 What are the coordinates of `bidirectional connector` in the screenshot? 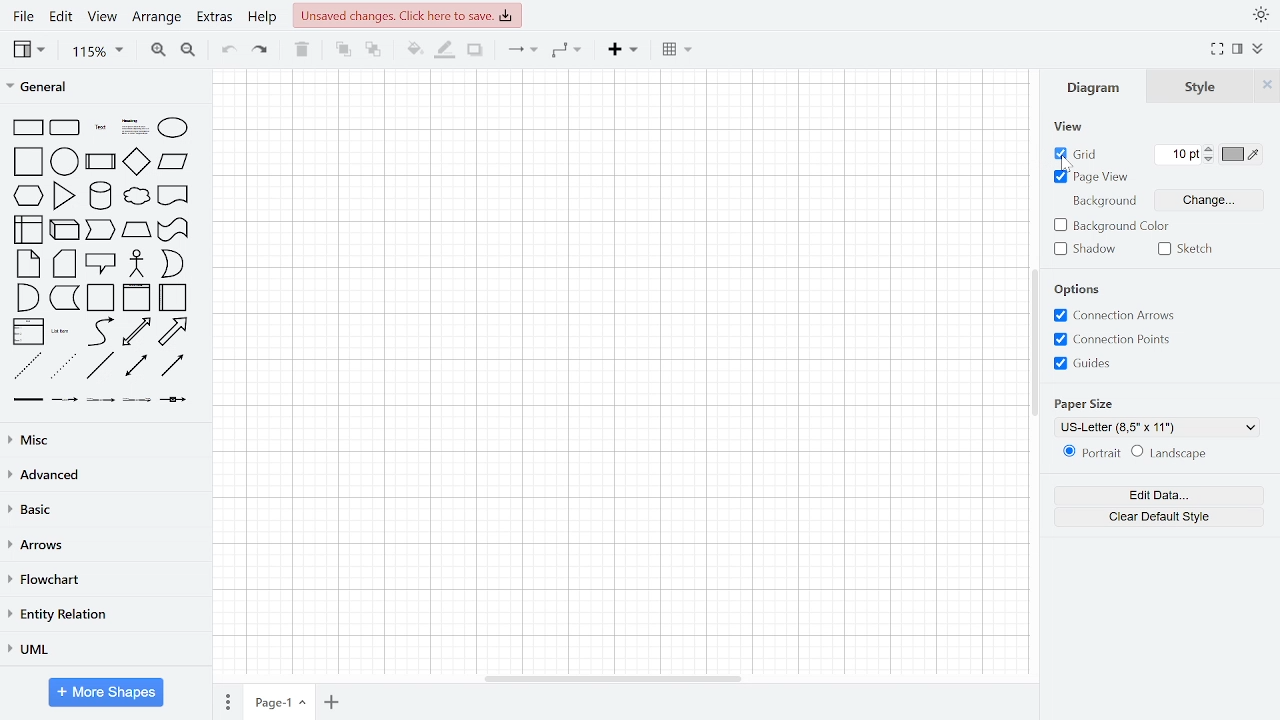 It's located at (138, 366).